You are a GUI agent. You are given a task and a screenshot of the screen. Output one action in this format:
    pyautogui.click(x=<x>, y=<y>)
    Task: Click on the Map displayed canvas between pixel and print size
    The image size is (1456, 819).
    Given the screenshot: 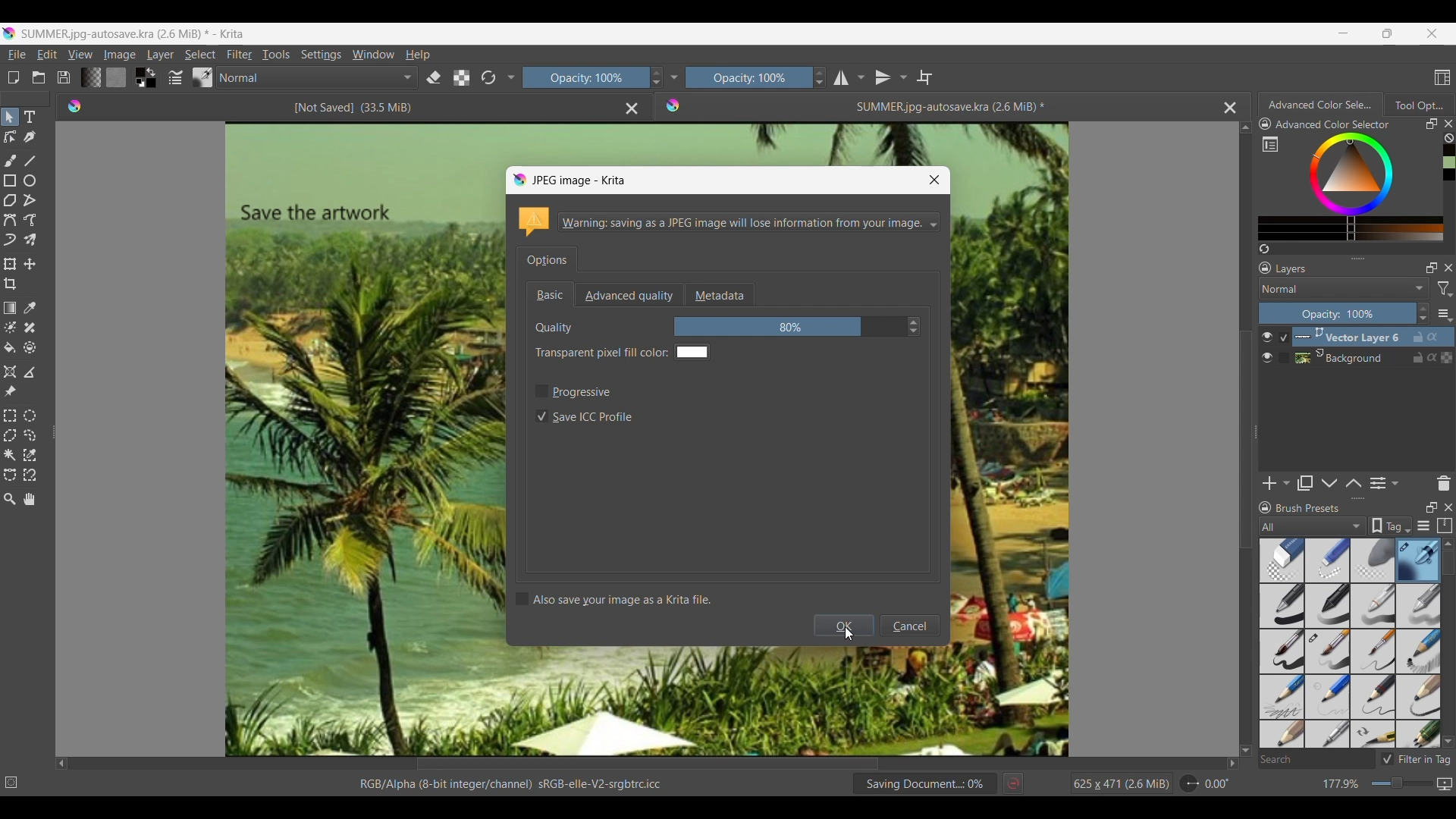 What is the action you would take?
    pyautogui.click(x=1444, y=784)
    